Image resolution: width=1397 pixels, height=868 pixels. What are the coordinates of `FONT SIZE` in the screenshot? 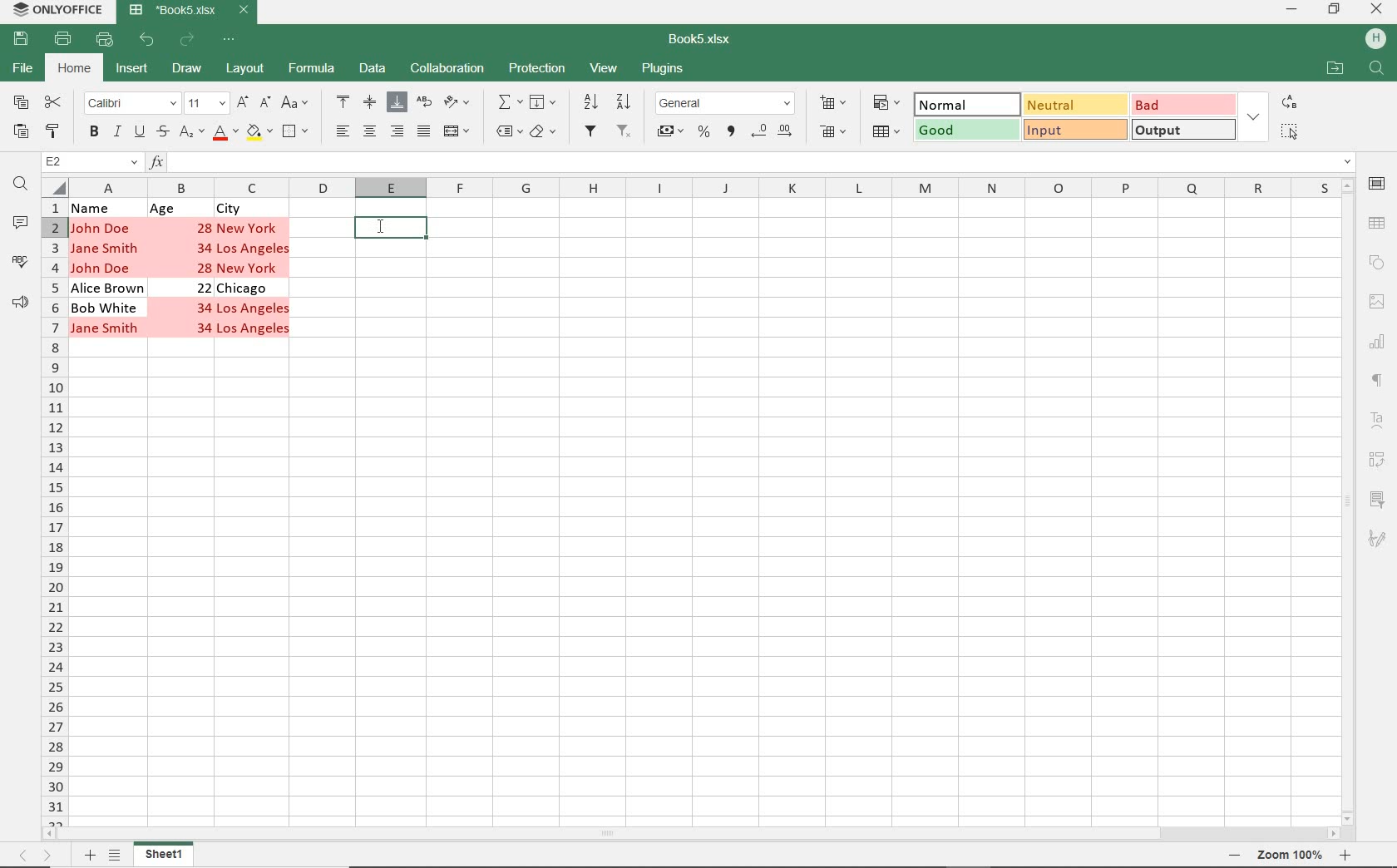 It's located at (206, 104).